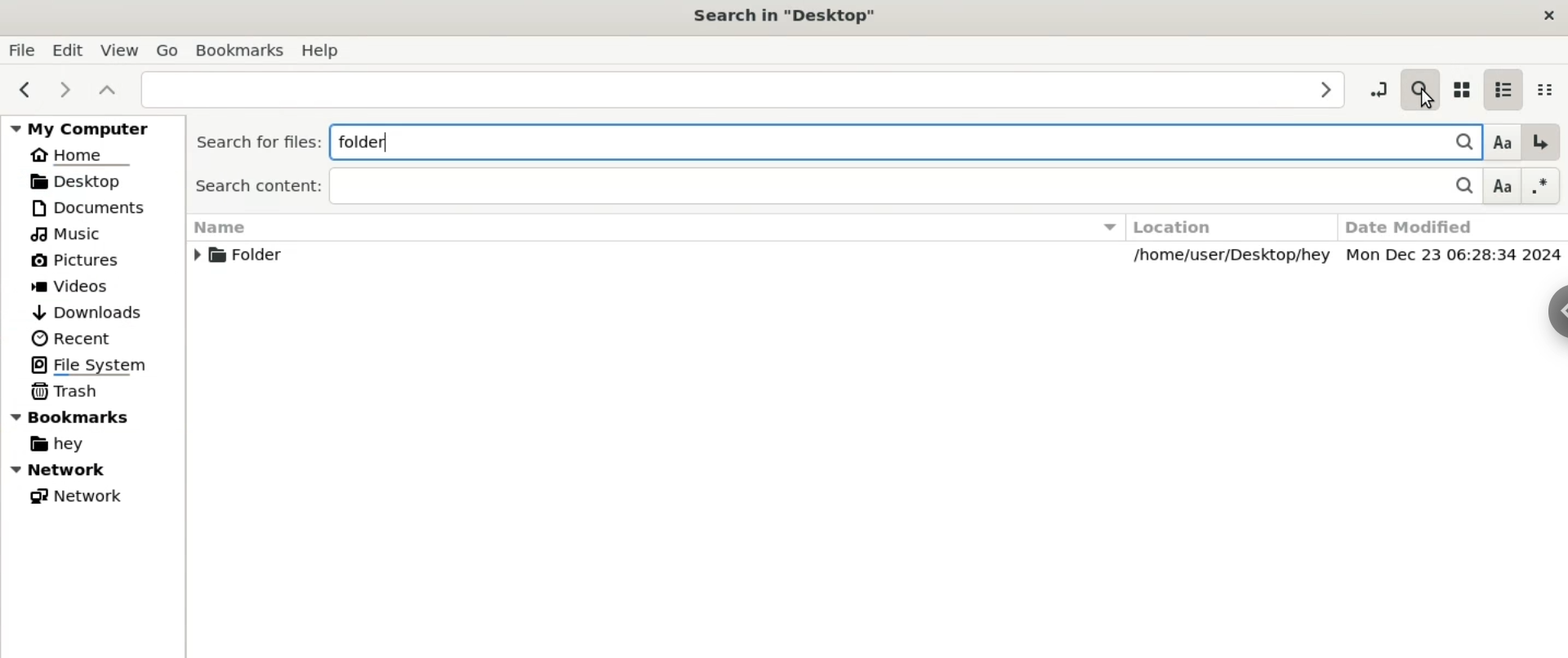 This screenshot has height=658, width=1568. What do you see at coordinates (1457, 188) in the screenshot?
I see `Search` at bounding box center [1457, 188].